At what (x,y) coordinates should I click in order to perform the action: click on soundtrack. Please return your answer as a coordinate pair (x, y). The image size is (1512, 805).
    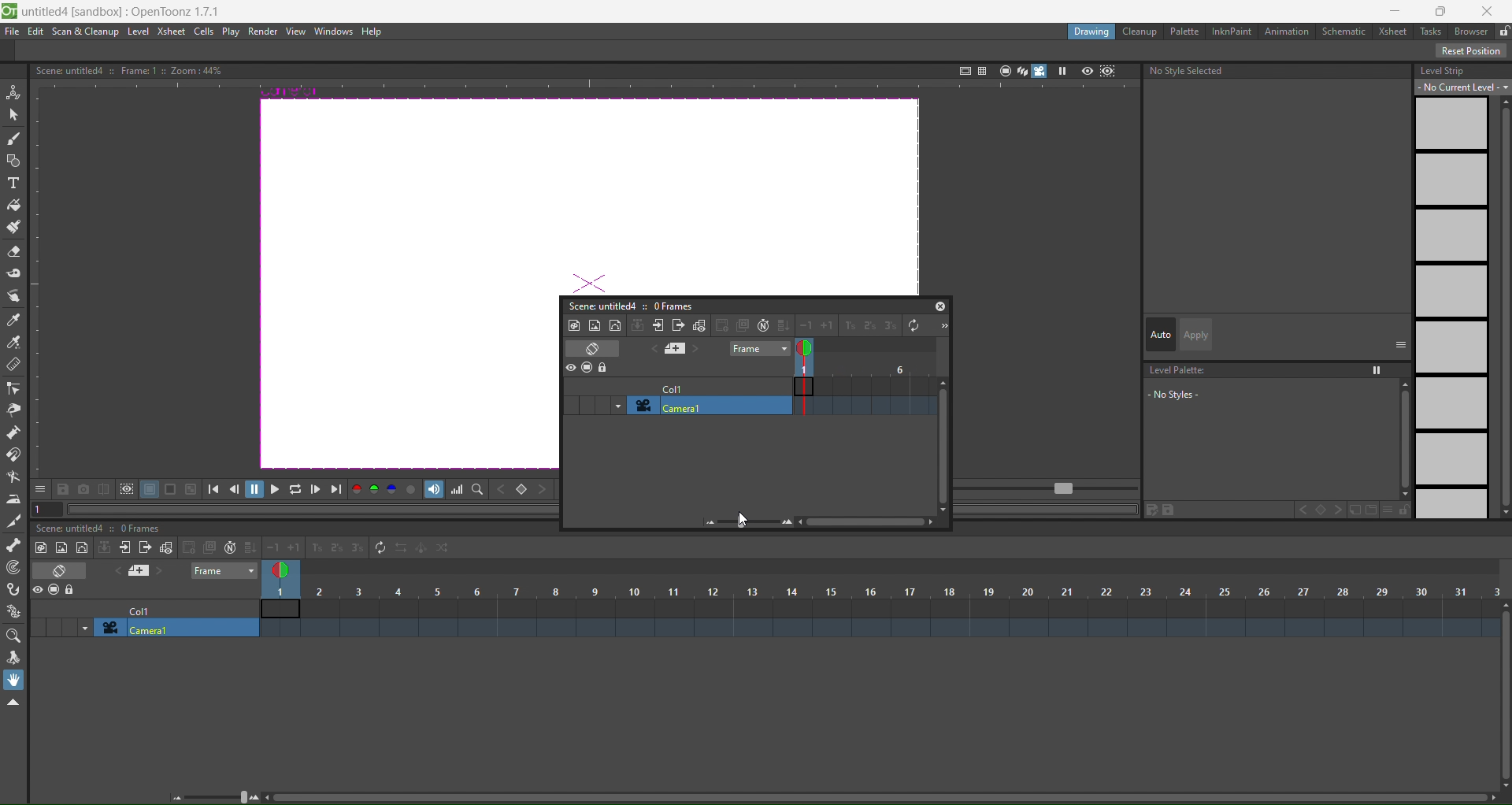
    Looking at the image, I should click on (435, 489).